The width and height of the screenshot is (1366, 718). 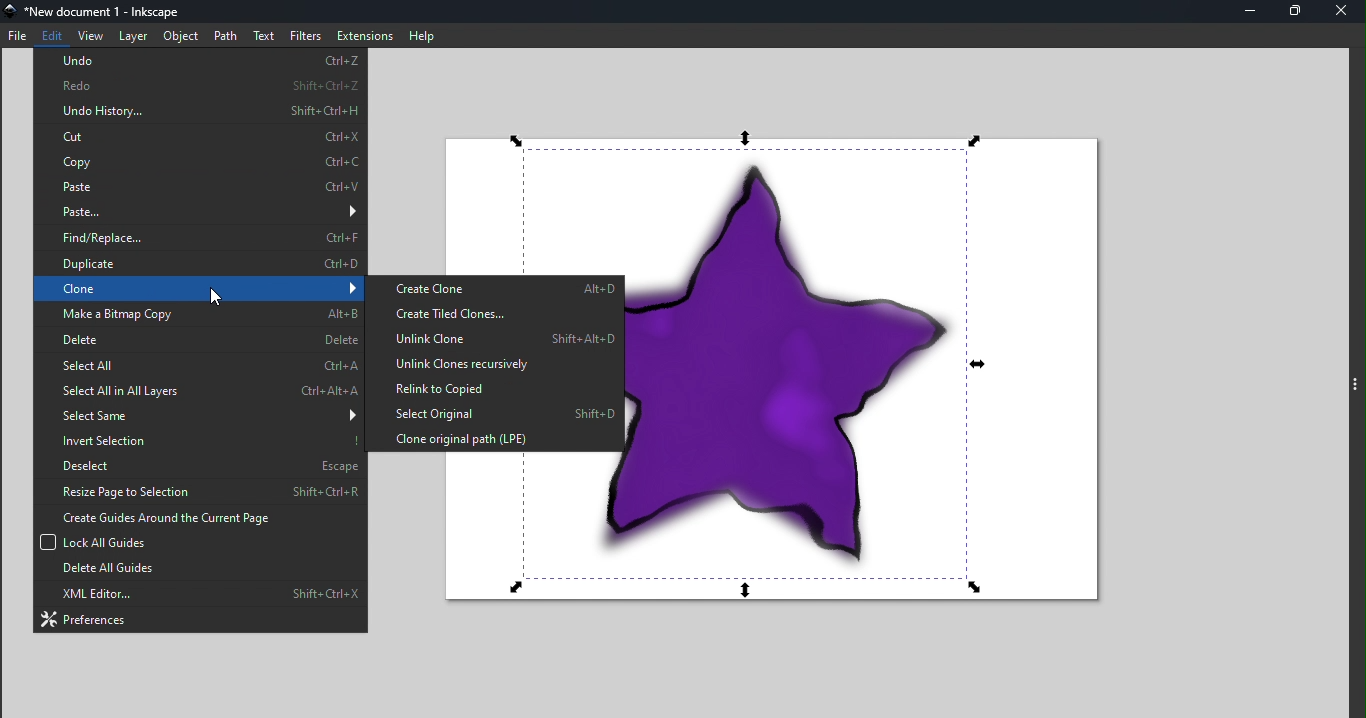 I want to click on select all, so click(x=198, y=365).